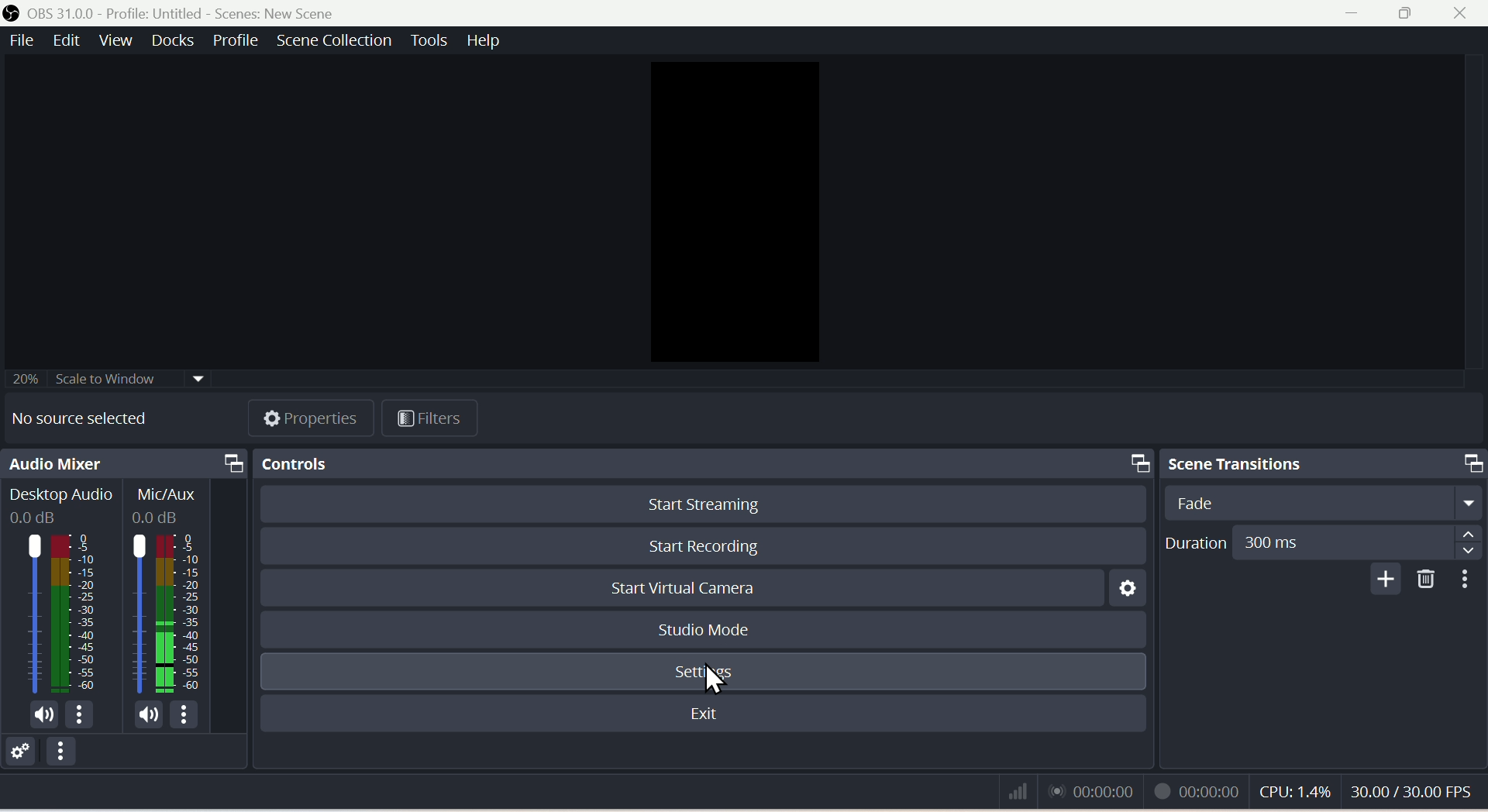 The width and height of the screenshot is (1488, 812). What do you see at coordinates (1465, 15) in the screenshot?
I see `close` at bounding box center [1465, 15].